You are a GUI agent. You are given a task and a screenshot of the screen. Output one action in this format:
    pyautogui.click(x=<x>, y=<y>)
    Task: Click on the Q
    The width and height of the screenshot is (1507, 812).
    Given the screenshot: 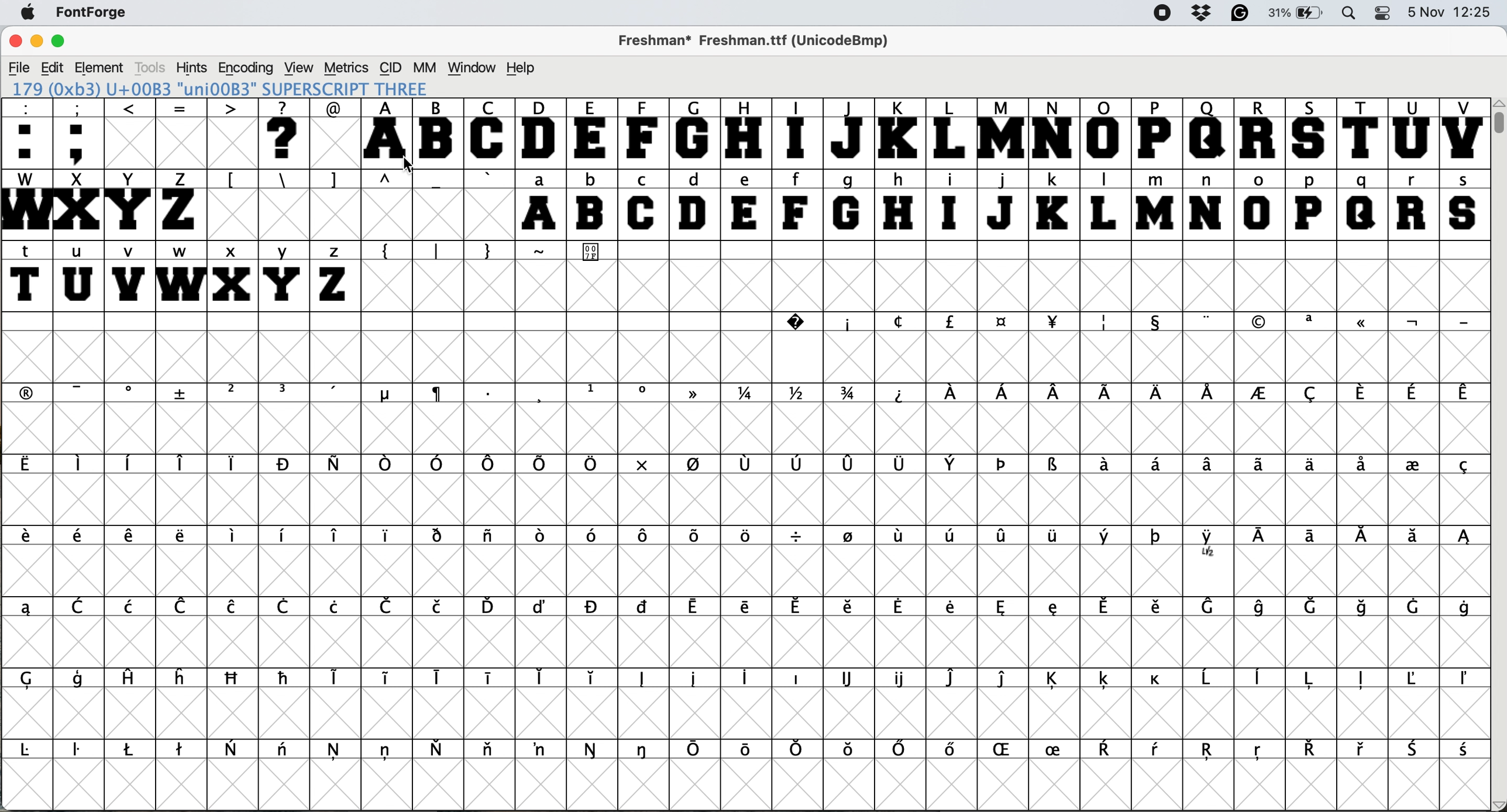 What is the action you would take?
    pyautogui.click(x=1209, y=133)
    